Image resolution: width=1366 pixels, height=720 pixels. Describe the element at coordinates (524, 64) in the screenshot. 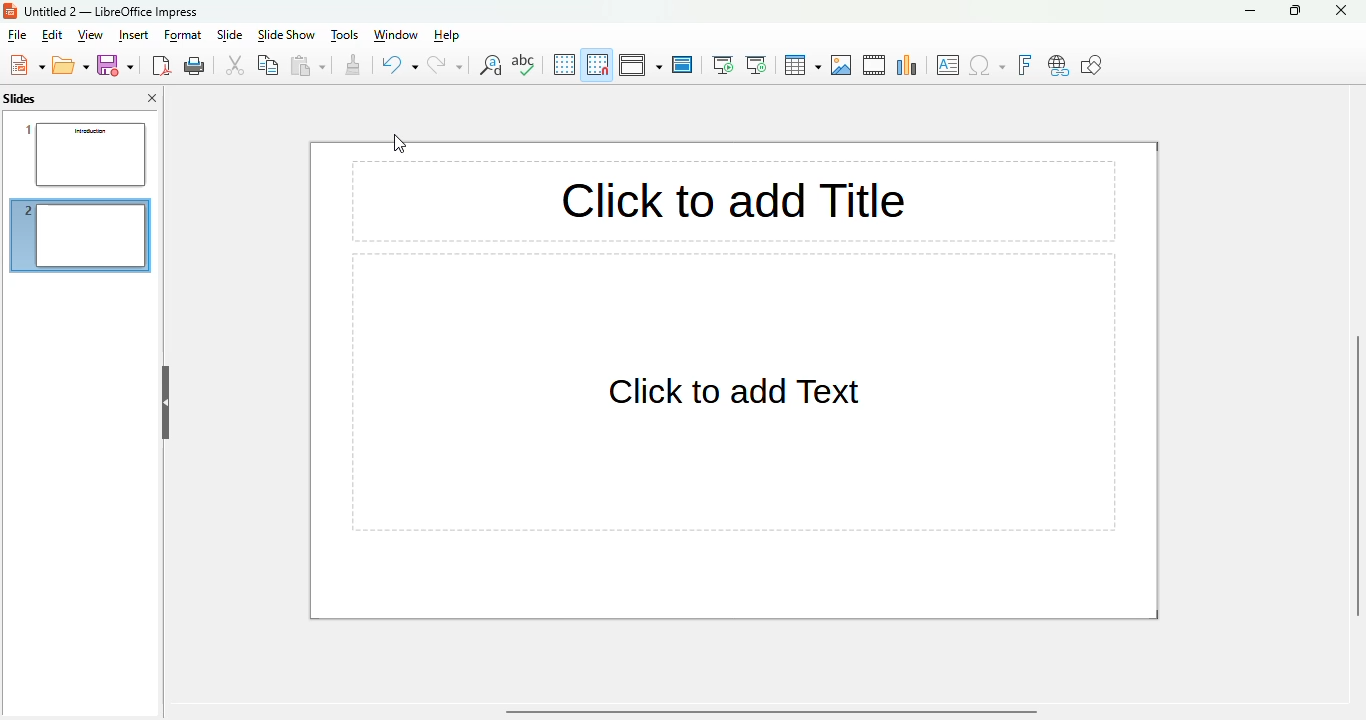

I see `spelling` at that location.